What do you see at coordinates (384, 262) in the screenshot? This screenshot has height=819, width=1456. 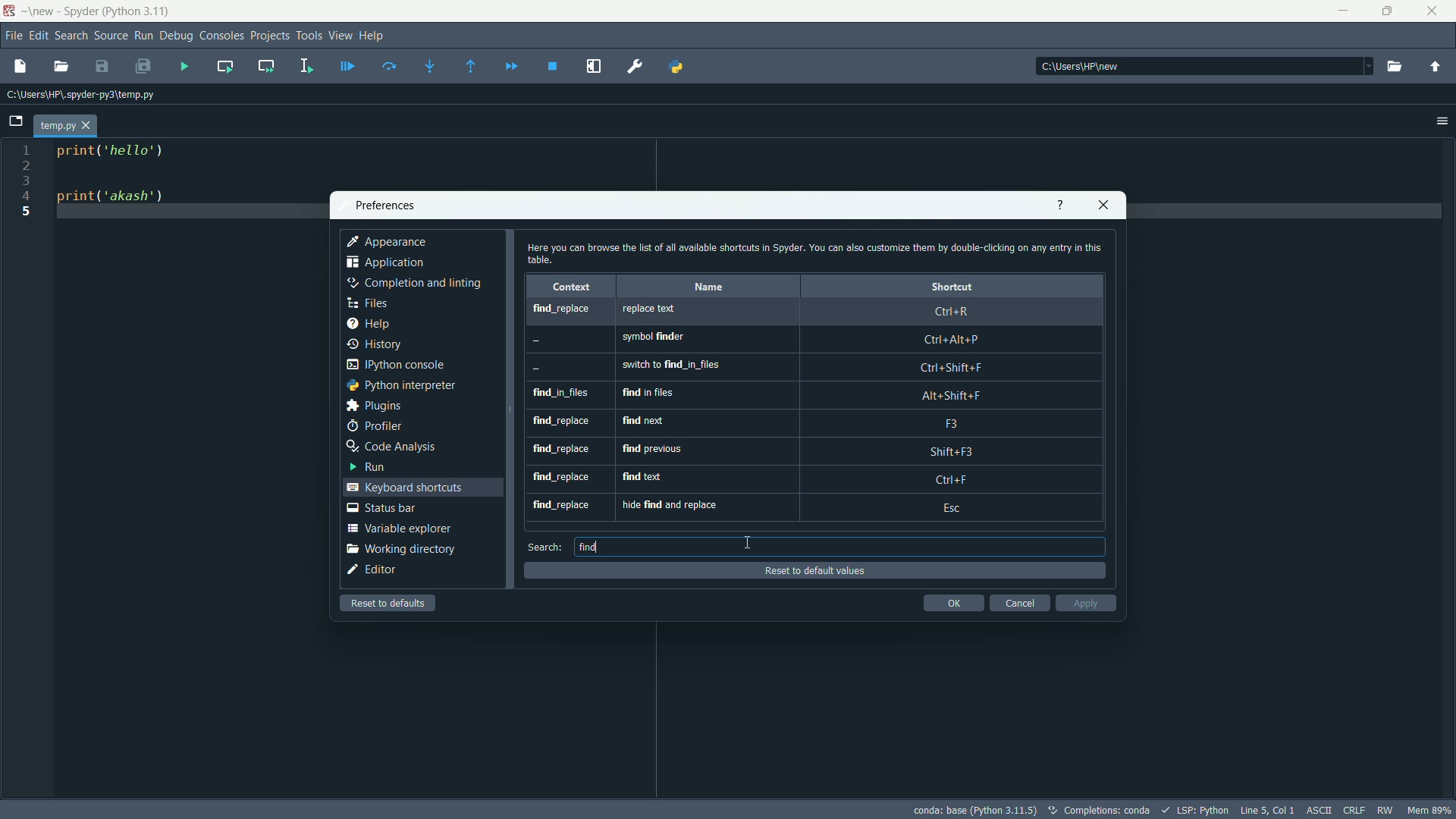 I see `application` at bounding box center [384, 262].